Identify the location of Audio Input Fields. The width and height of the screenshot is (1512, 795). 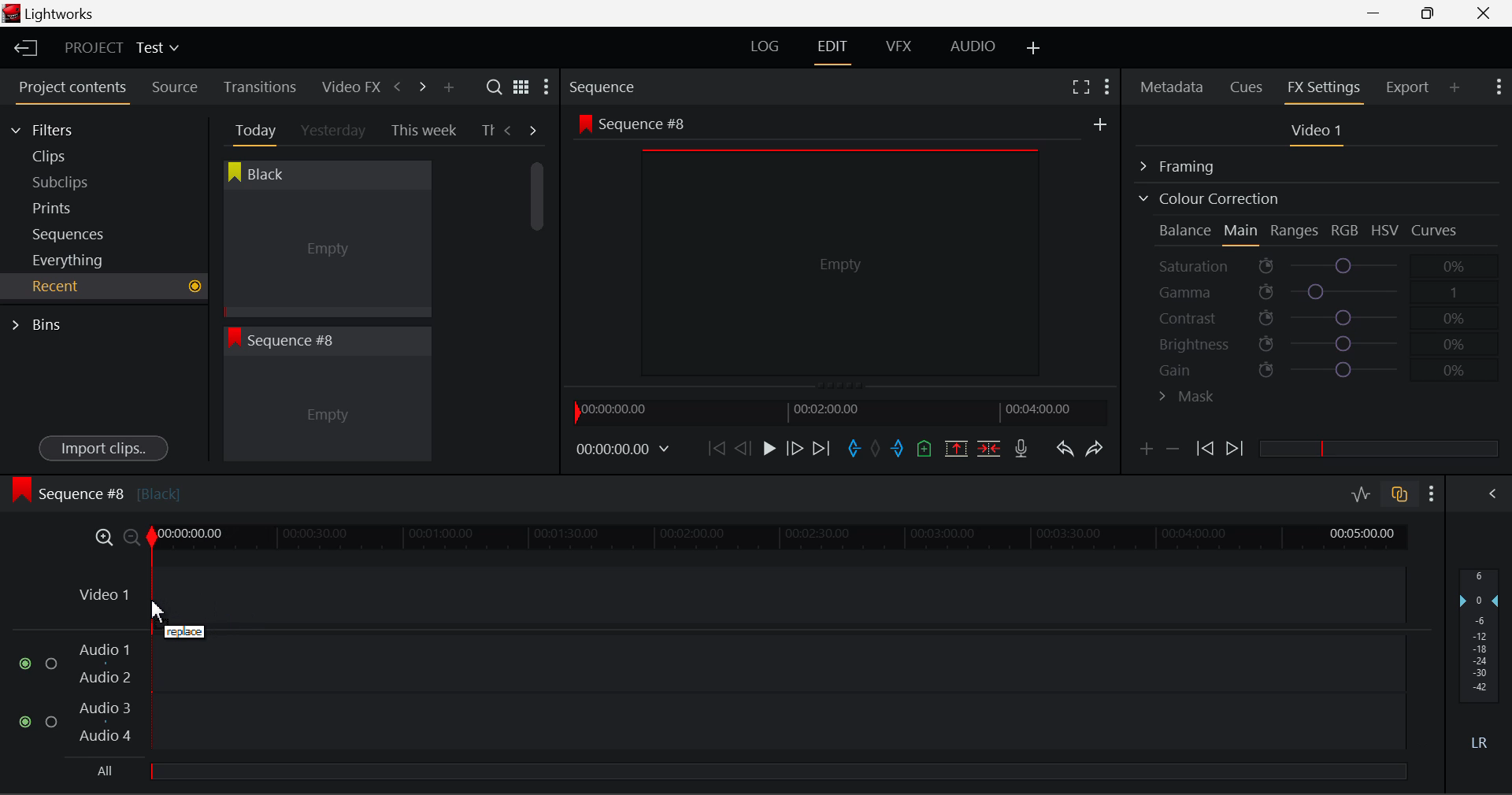
(712, 694).